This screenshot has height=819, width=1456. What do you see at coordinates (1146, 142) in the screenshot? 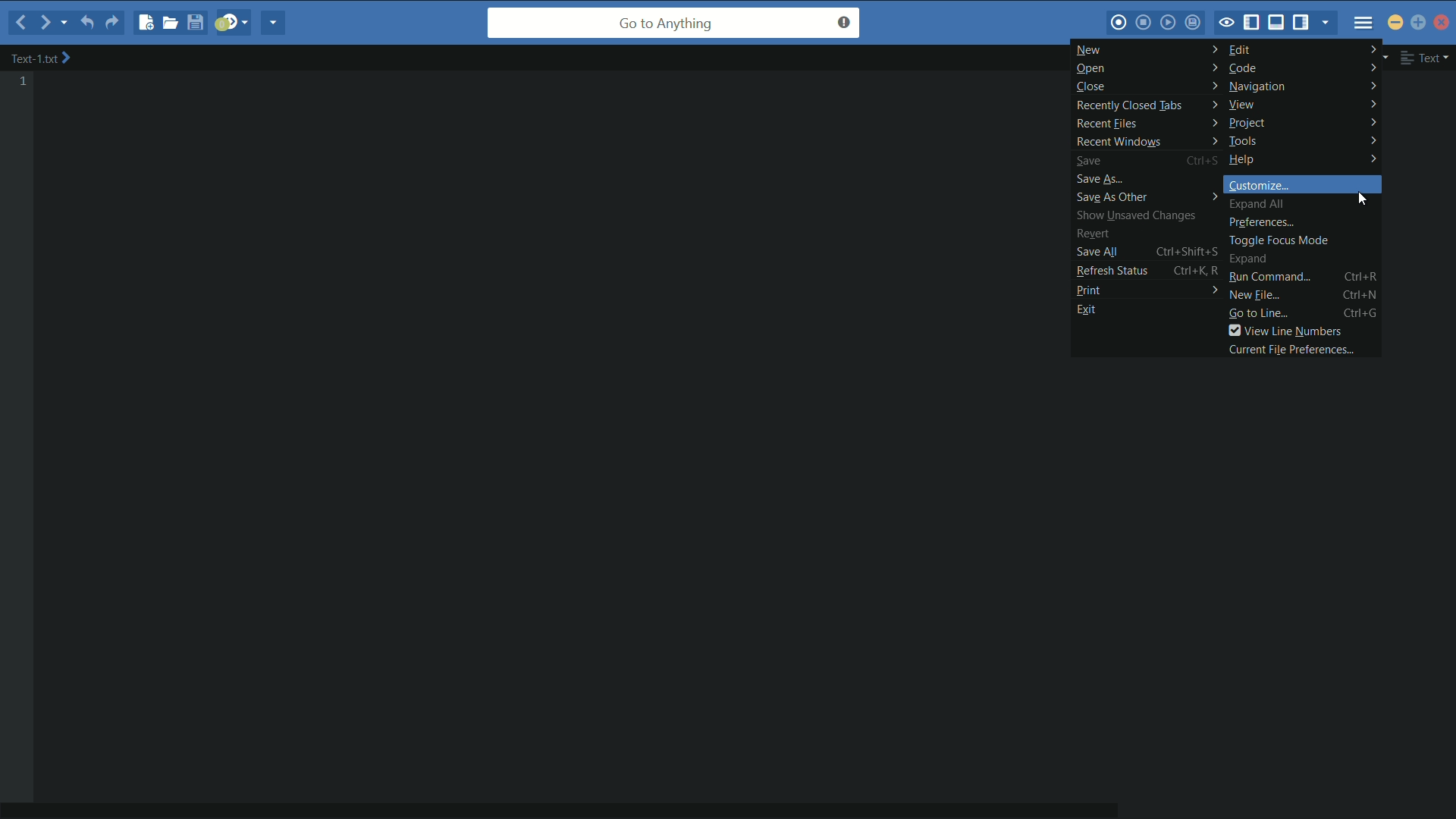
I see `recent windows` at bounding box center [1146, 142].